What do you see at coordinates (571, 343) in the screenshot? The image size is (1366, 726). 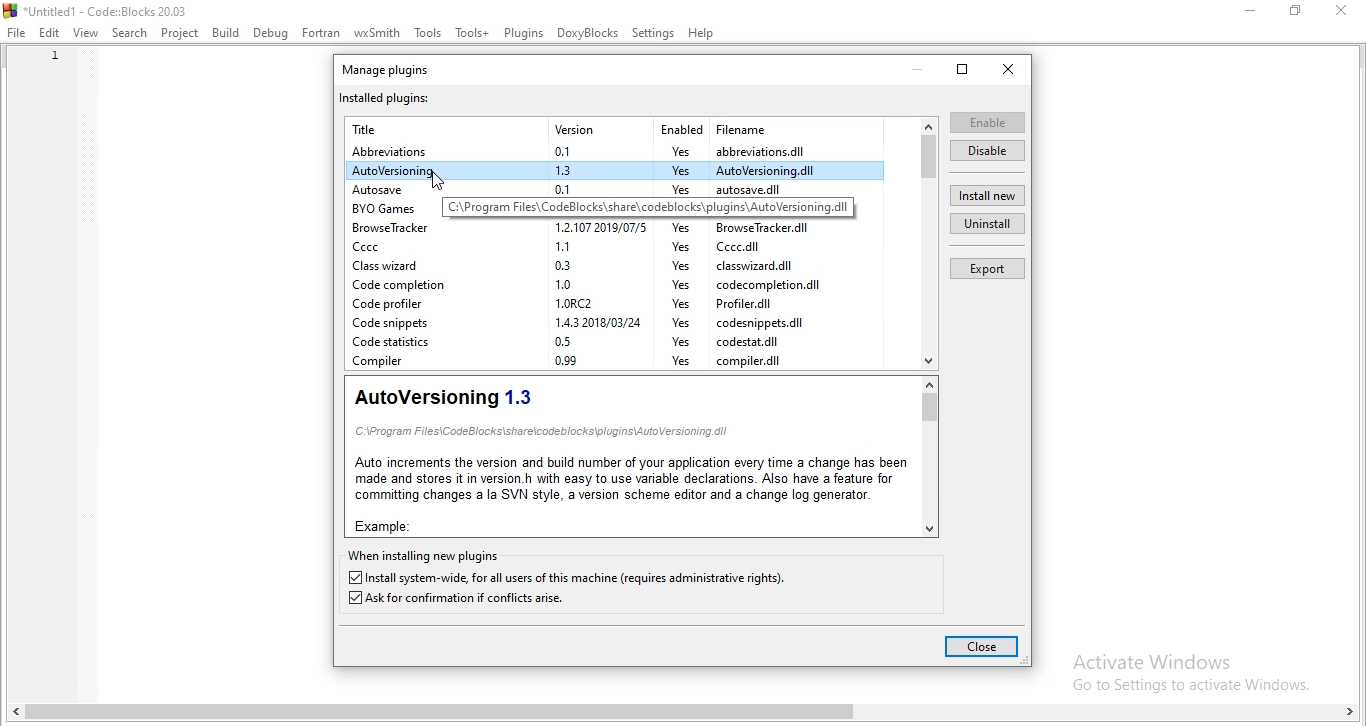 I see `Code statistics 05 Yes  codestat.dll` at bounding box center [571, 343].